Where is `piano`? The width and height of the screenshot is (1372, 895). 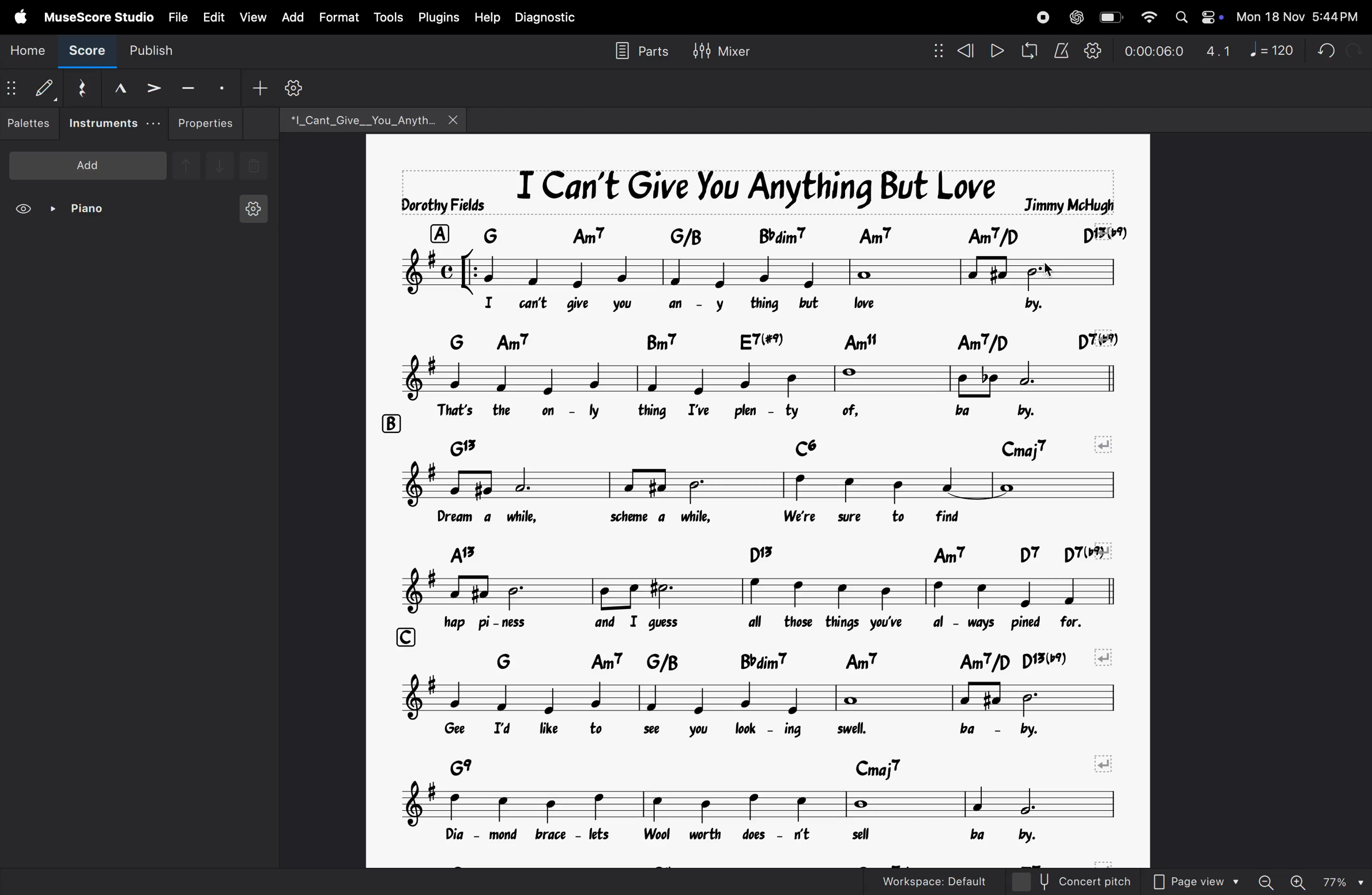 piano is located at coordinates (78, 211).